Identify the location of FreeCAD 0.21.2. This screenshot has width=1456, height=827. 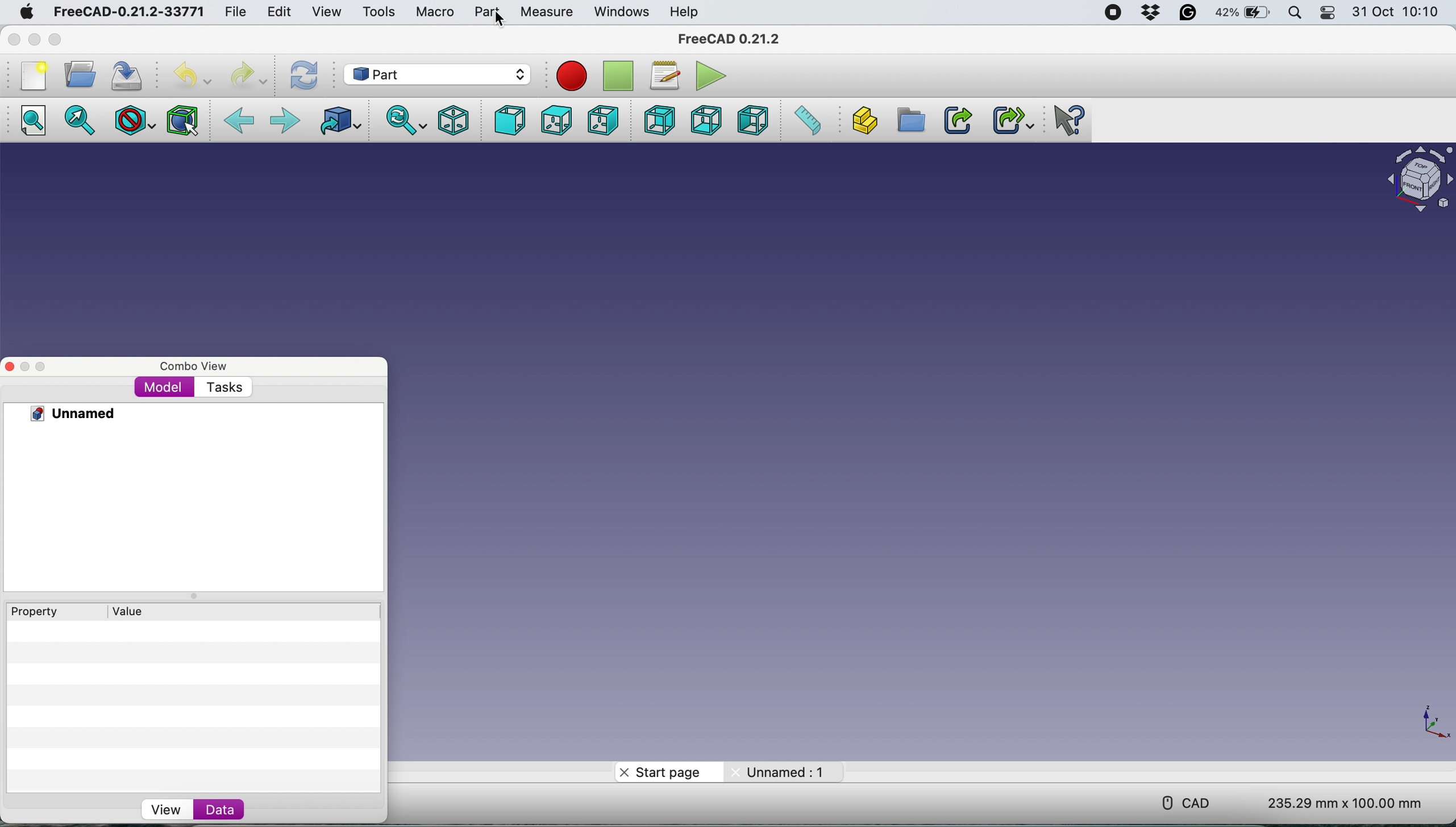
(733, 40).